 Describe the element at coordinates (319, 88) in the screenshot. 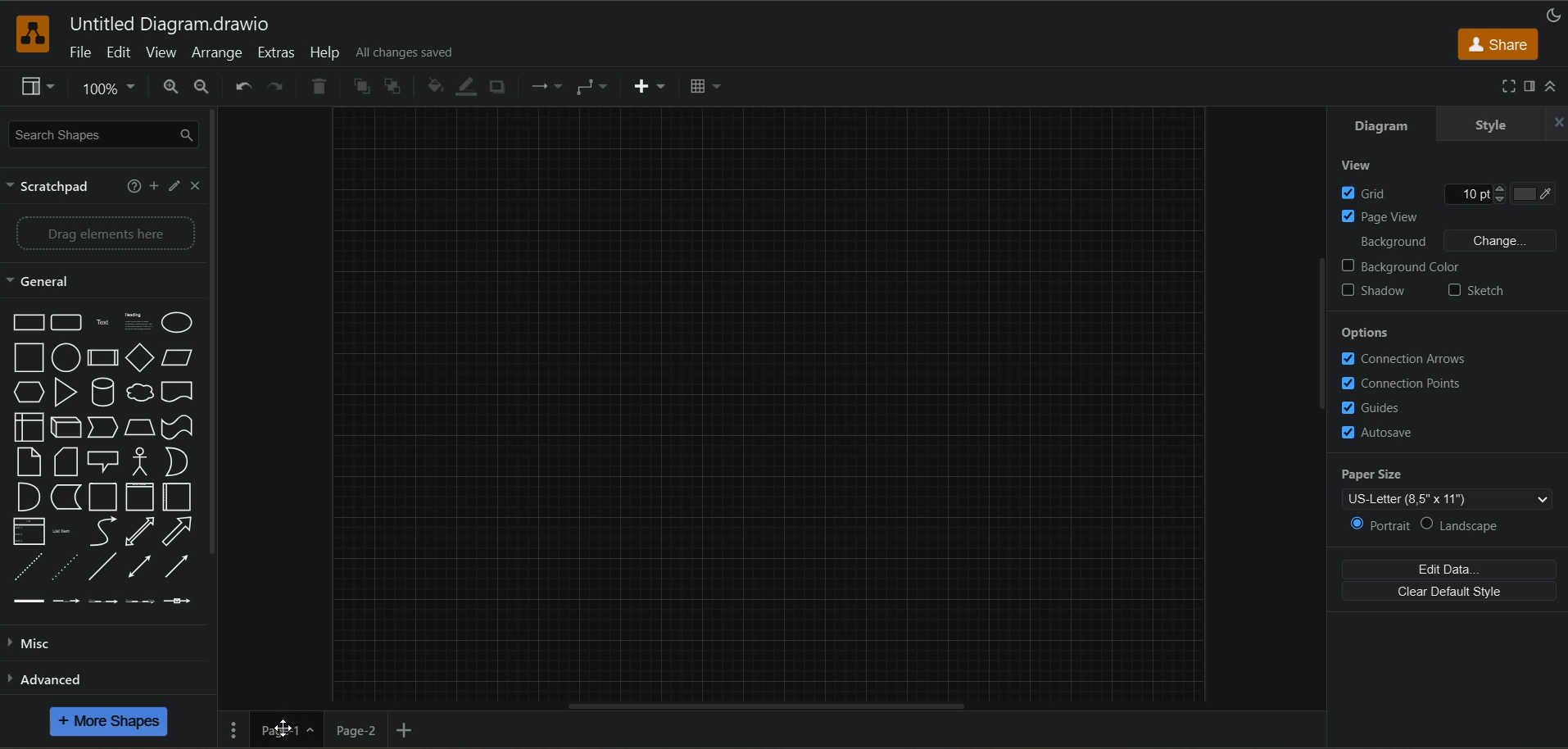

I see `delete` at that location.